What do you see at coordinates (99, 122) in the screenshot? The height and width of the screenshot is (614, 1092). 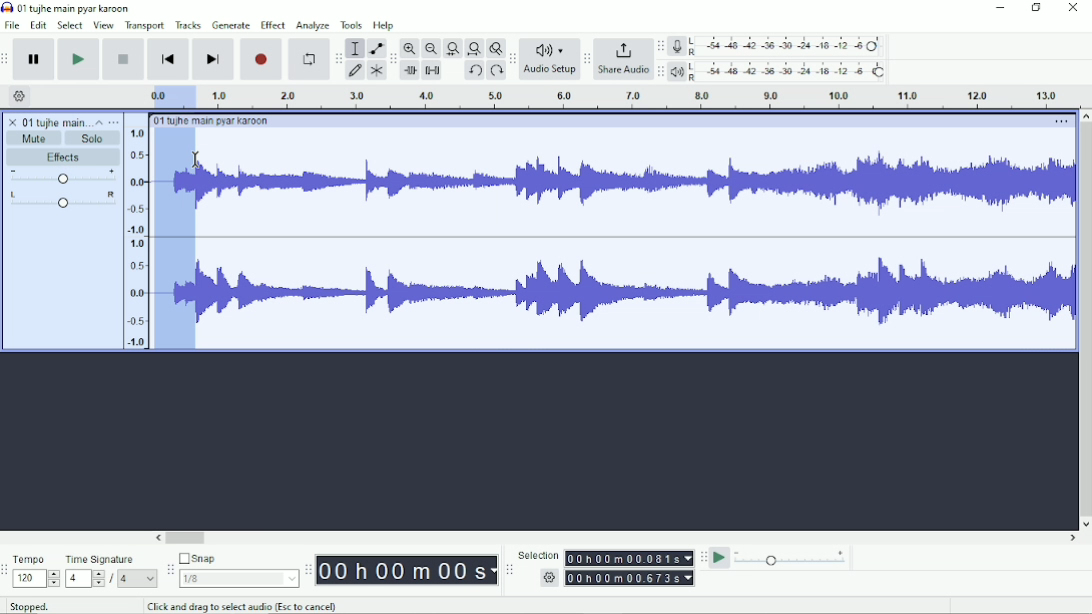 I see `Collapse` at bounding box center [99, 122].